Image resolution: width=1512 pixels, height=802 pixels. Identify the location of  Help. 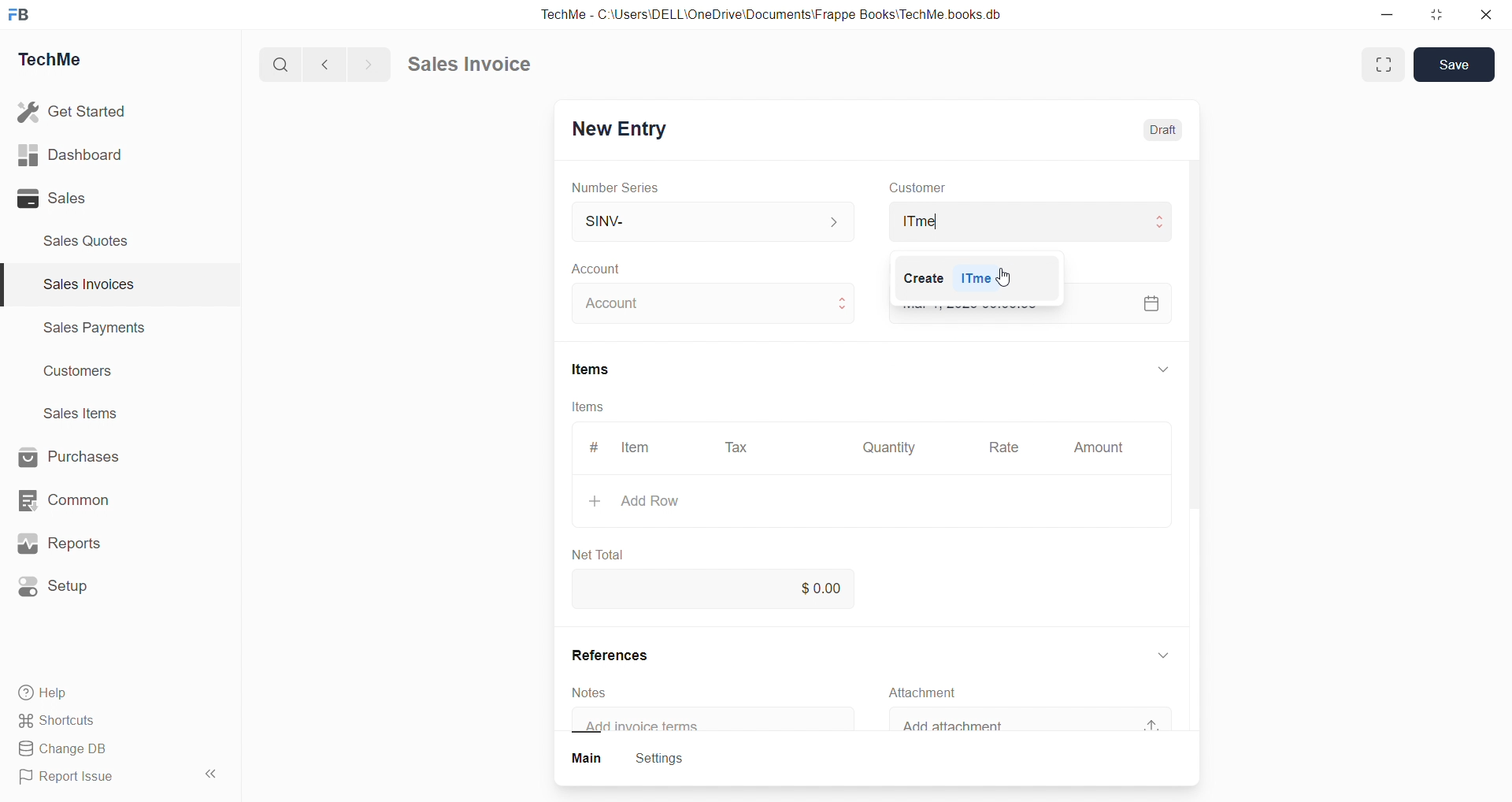
(51, 695).